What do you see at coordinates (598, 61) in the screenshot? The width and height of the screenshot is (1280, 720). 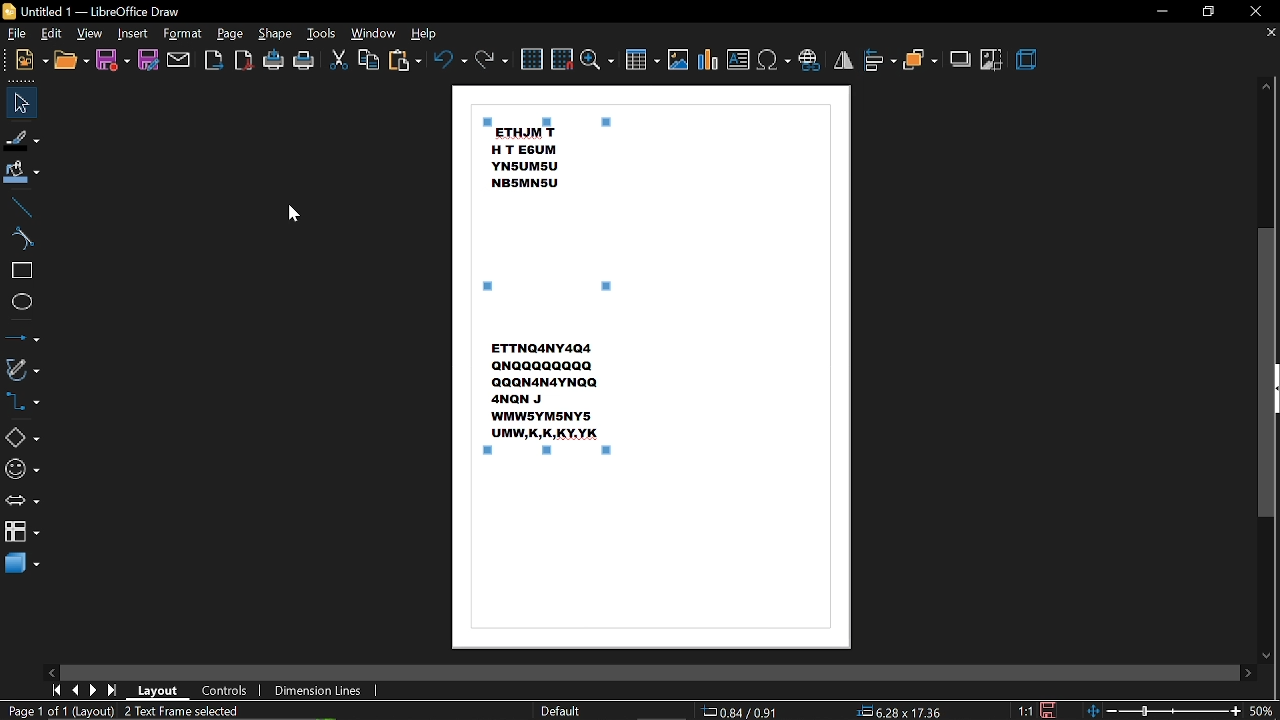 I see `zoom` at bounding box center [598, 61].